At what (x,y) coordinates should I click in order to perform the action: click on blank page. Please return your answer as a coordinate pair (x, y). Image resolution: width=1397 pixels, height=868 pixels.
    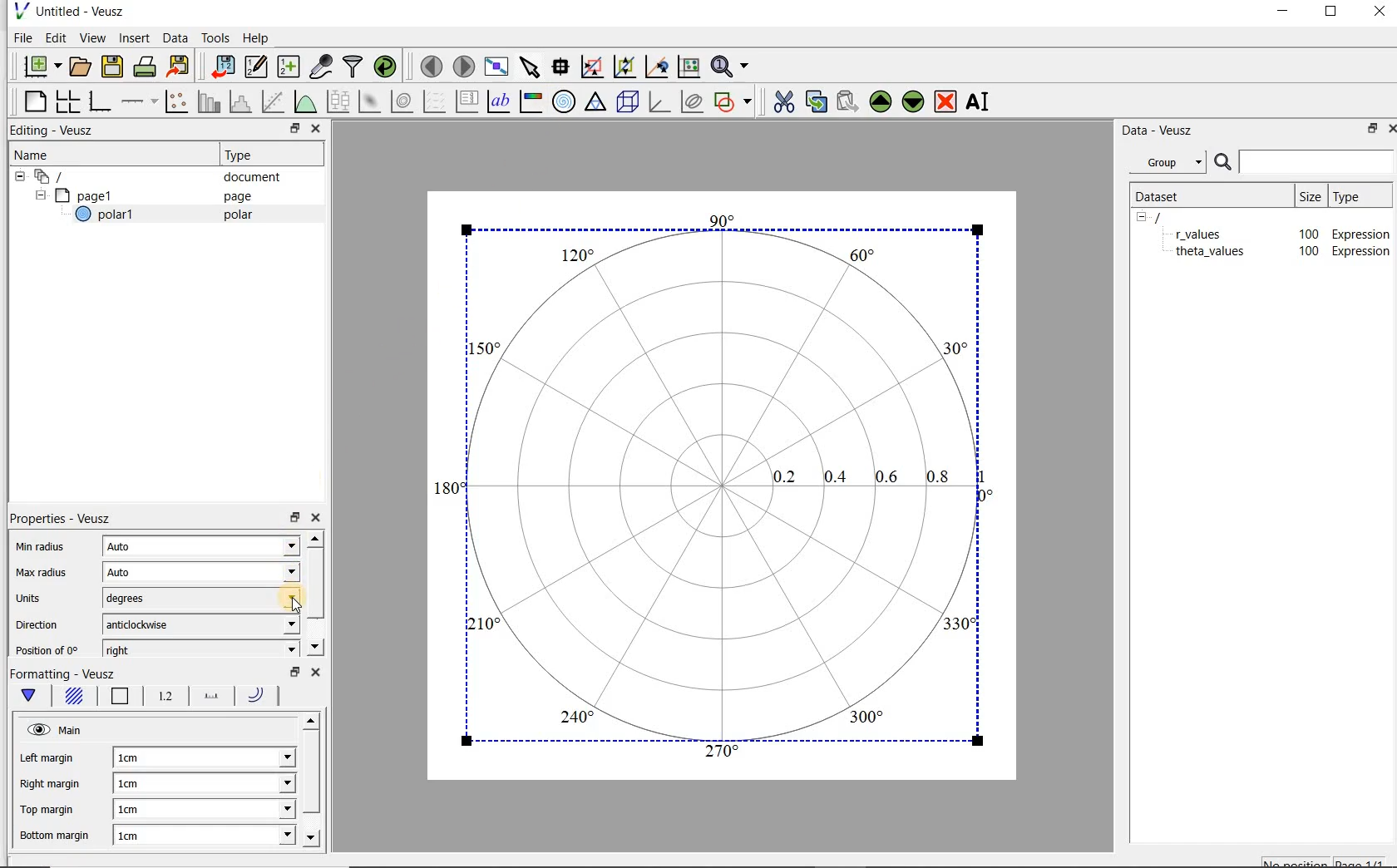
    Looking at the image, I should click on (32, 99).